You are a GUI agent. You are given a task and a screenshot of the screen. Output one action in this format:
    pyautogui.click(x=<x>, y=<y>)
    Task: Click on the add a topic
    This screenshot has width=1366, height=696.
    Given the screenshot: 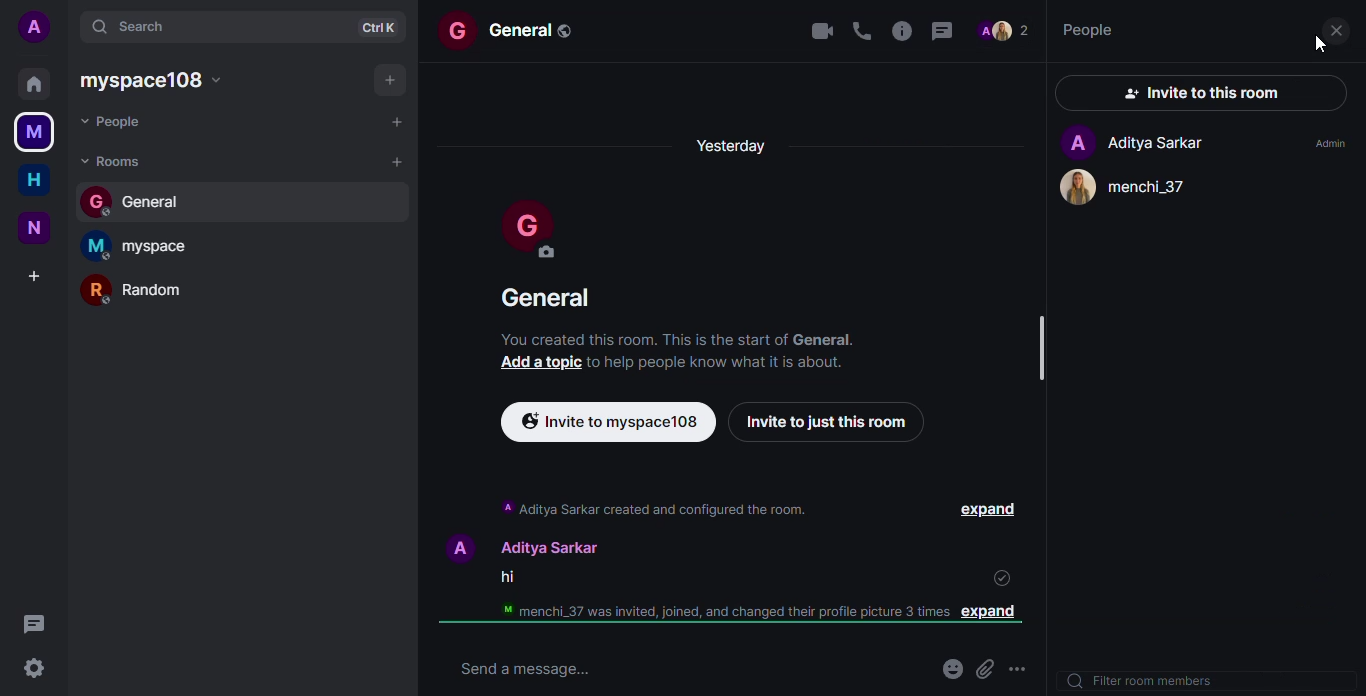 What is the action you would take?
    pyautogui.click(x=532, y=364)
    